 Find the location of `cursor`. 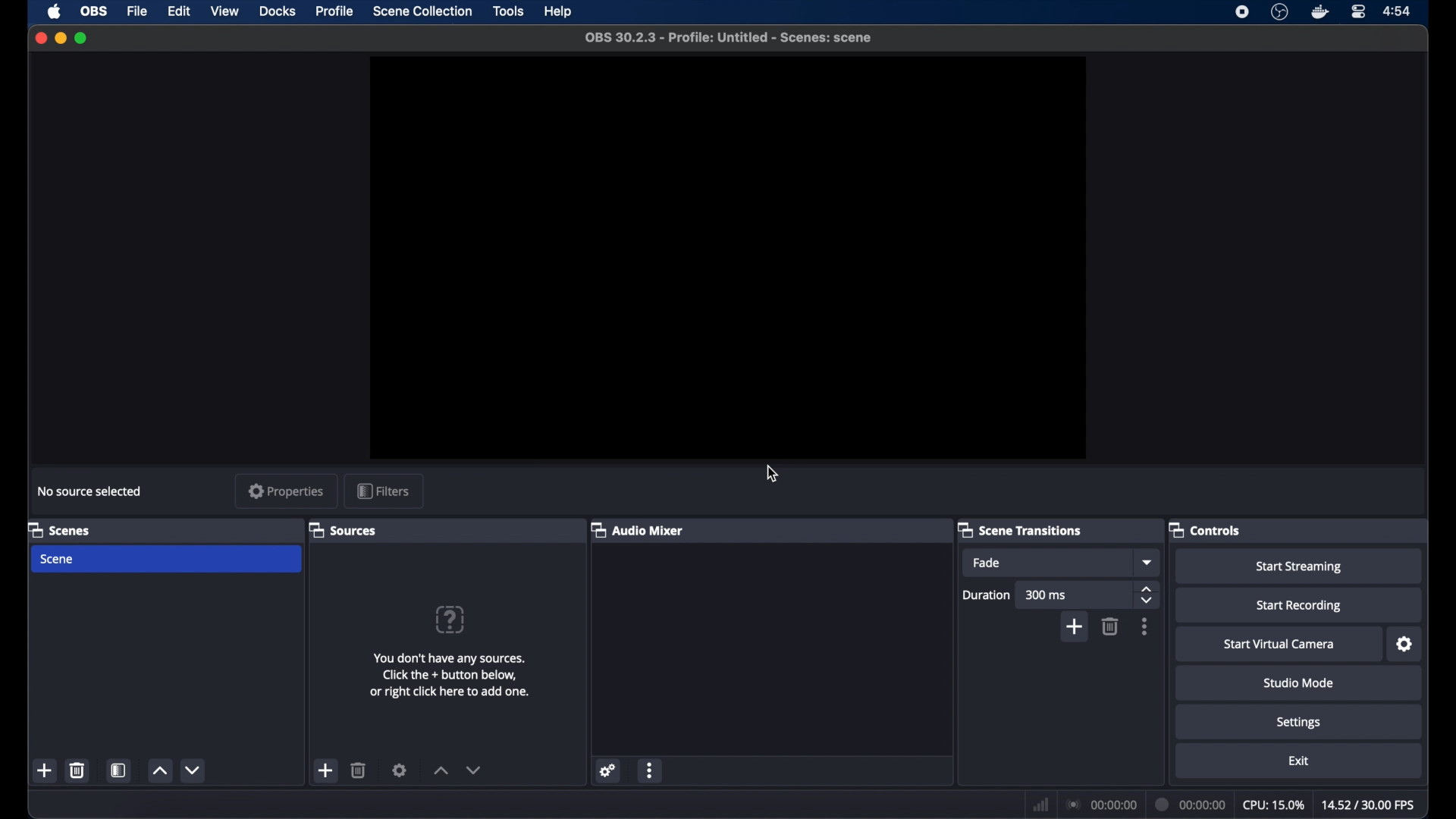

cursor is located at coordinates (769, 474).